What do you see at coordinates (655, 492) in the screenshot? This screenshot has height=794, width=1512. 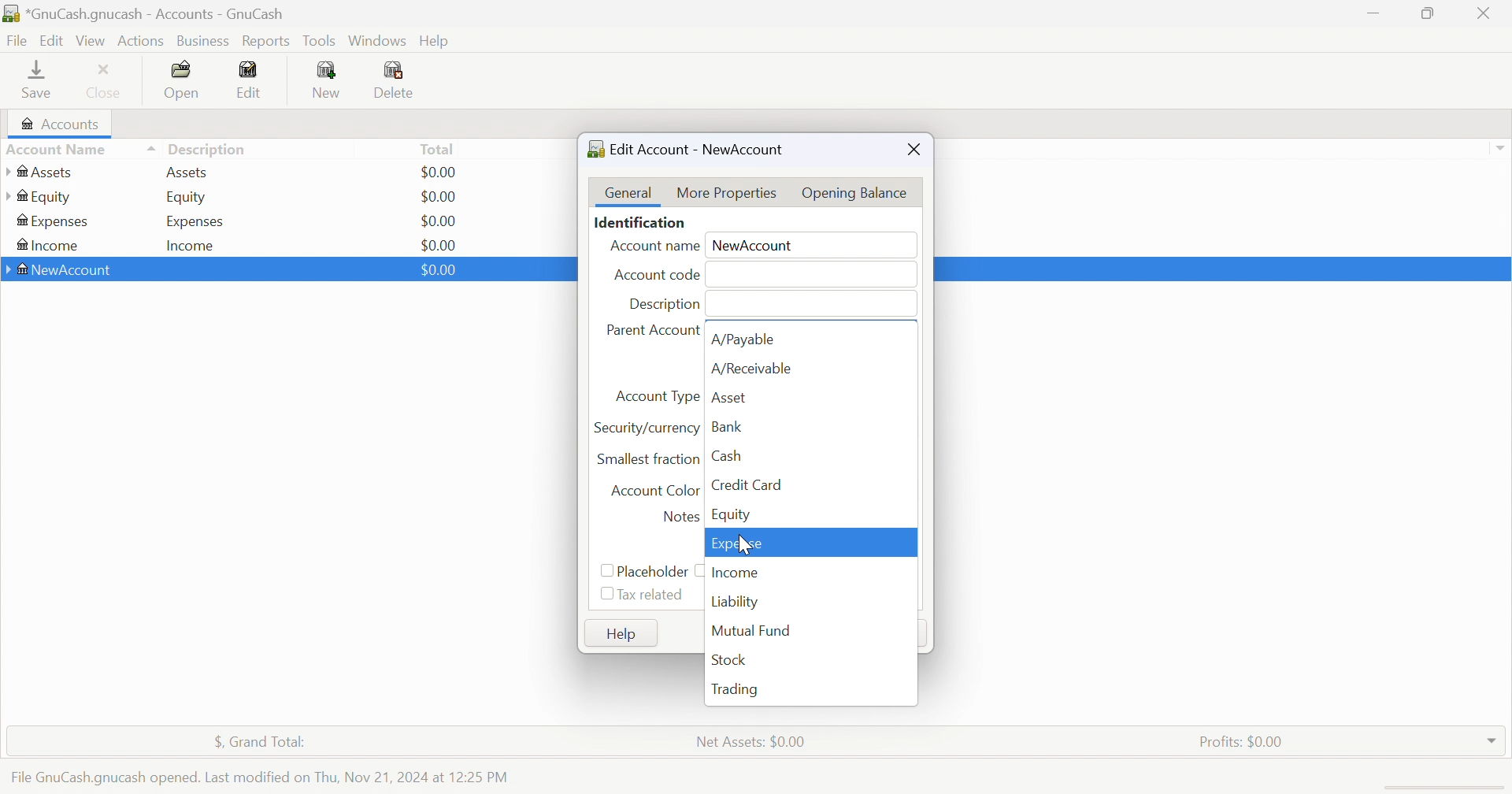 I see `Account Color` at bounding box center [655, 492].